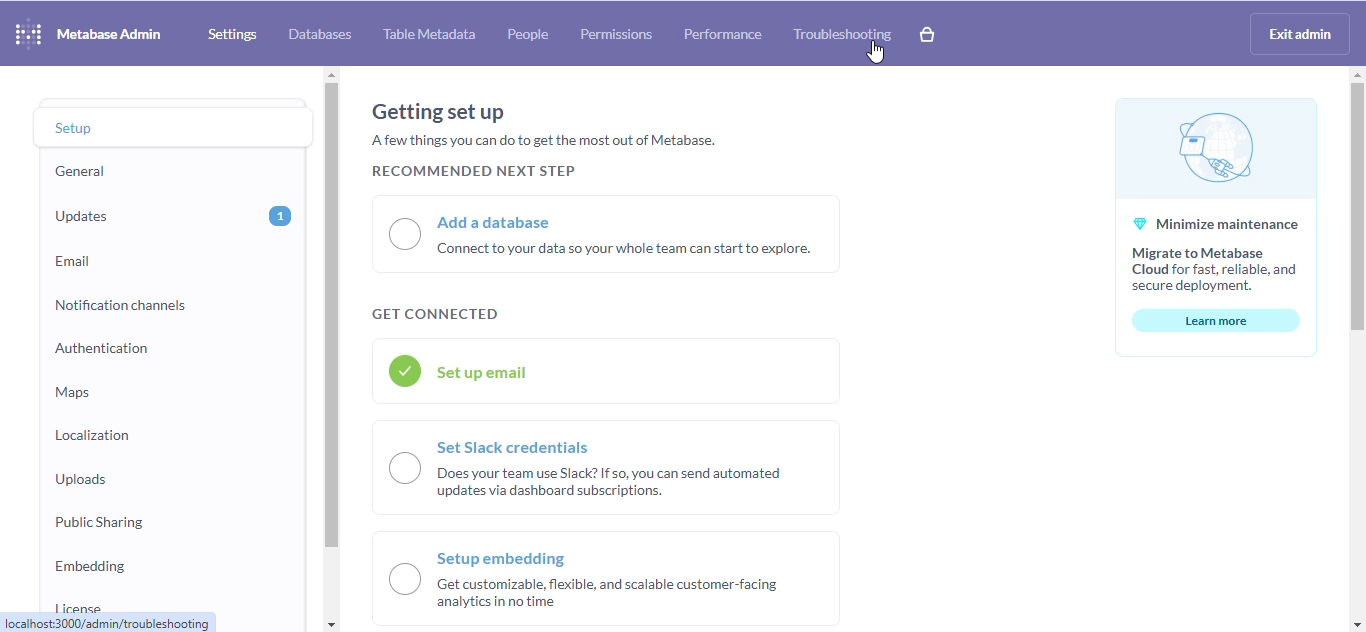 The image size is (1366, 632). I want to click on a few things you can do to get the most out of metabase, so click(544, 139).